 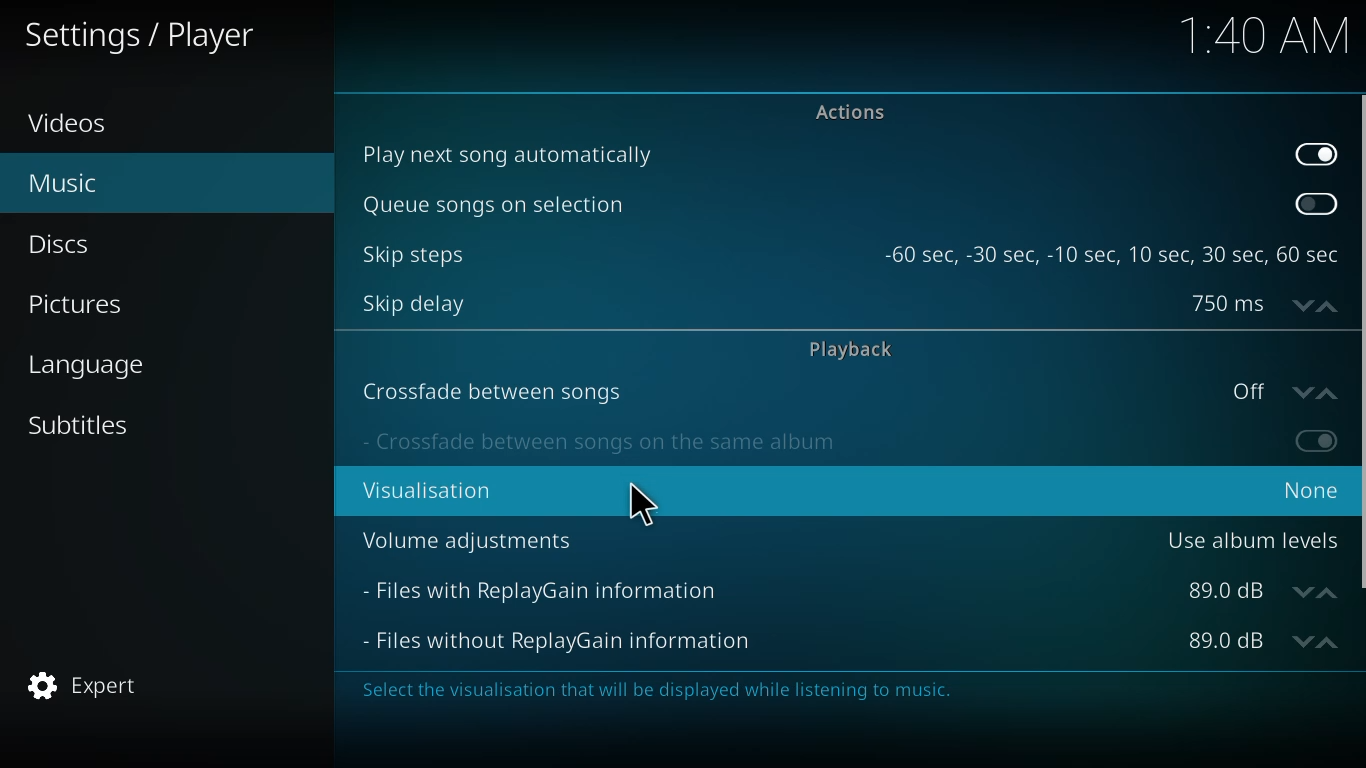 I want to click on skip delay, so click(x=414, y=302).